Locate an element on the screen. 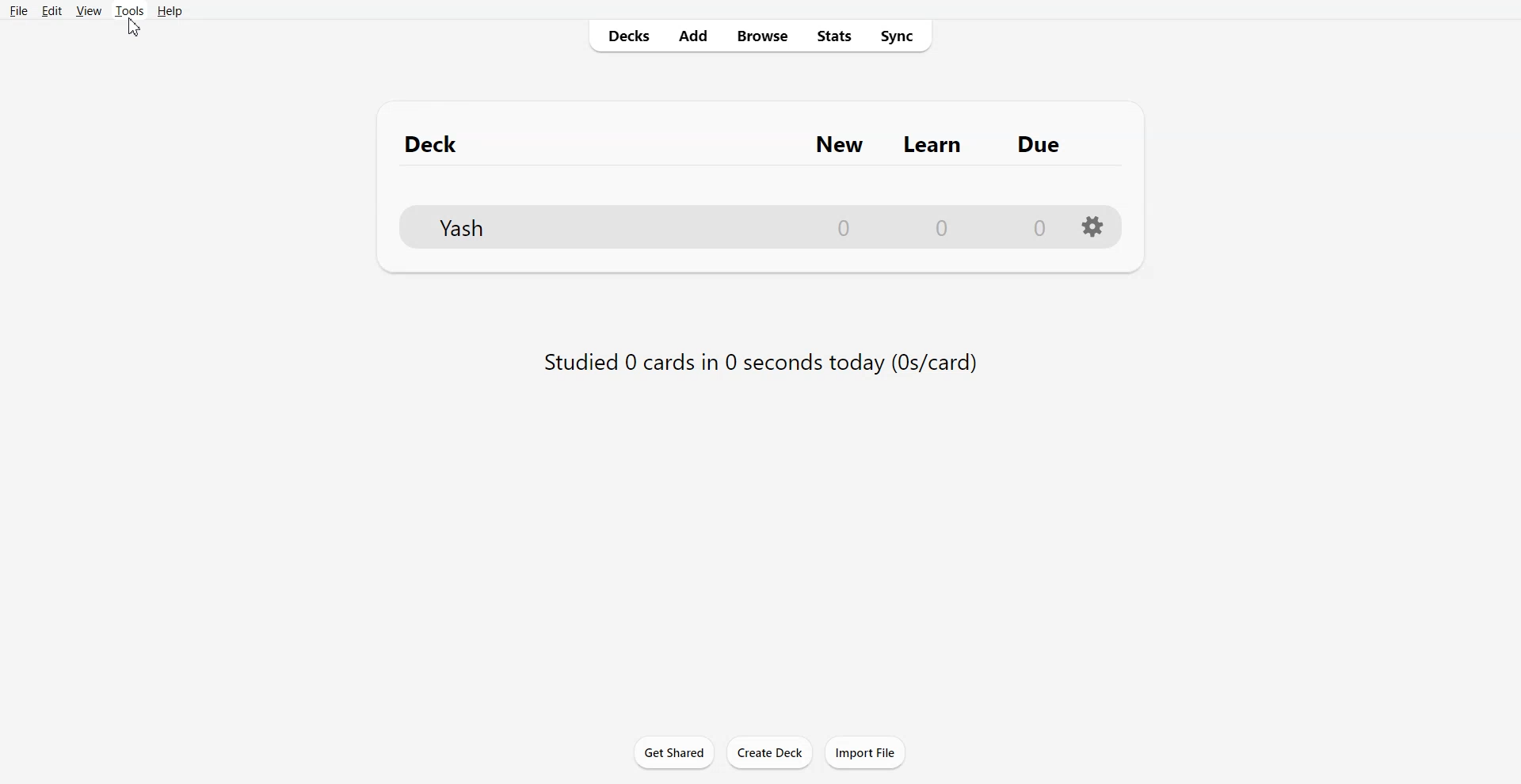 Image resolution: width=1521 pixels, height=784 pixels. Browse is located at coordinates (760, 35).